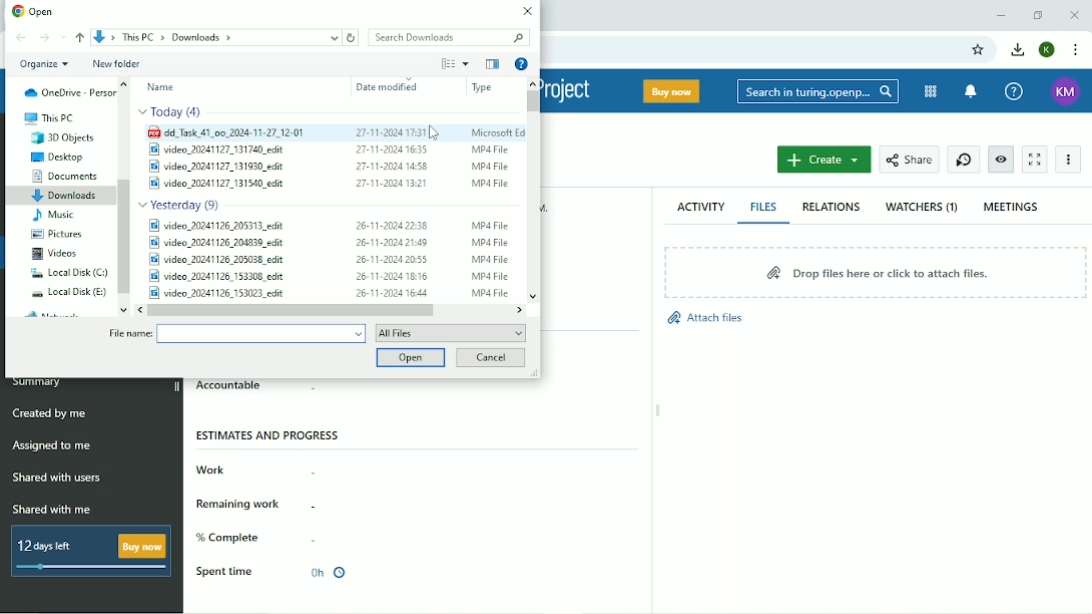 Image resolution: width=1092 pixels, height=614 pixels. Describe the element at coordinates (491, 358) in the screenshot. I see `Cancel` at that location.